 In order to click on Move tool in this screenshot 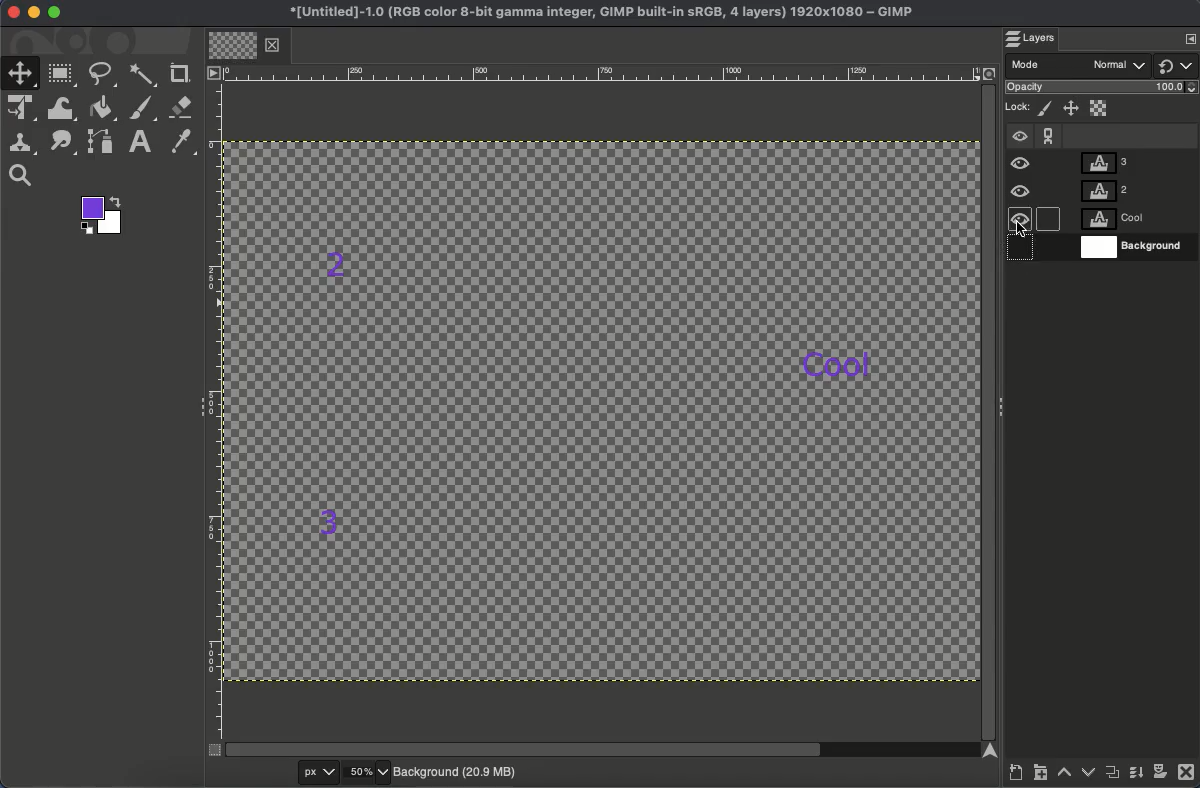, I will do `click(21, 72)`.